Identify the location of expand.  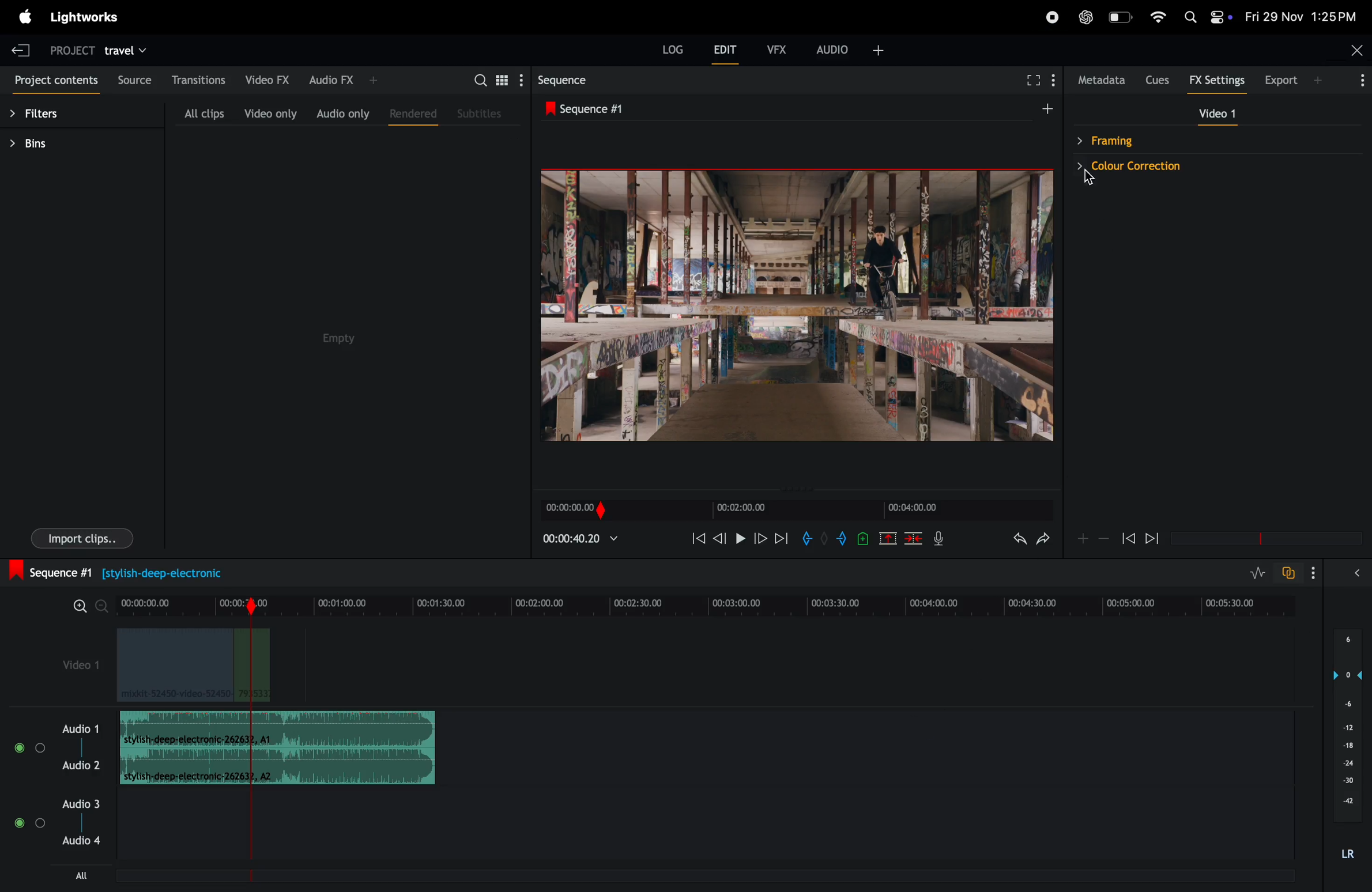
(1356, 573).